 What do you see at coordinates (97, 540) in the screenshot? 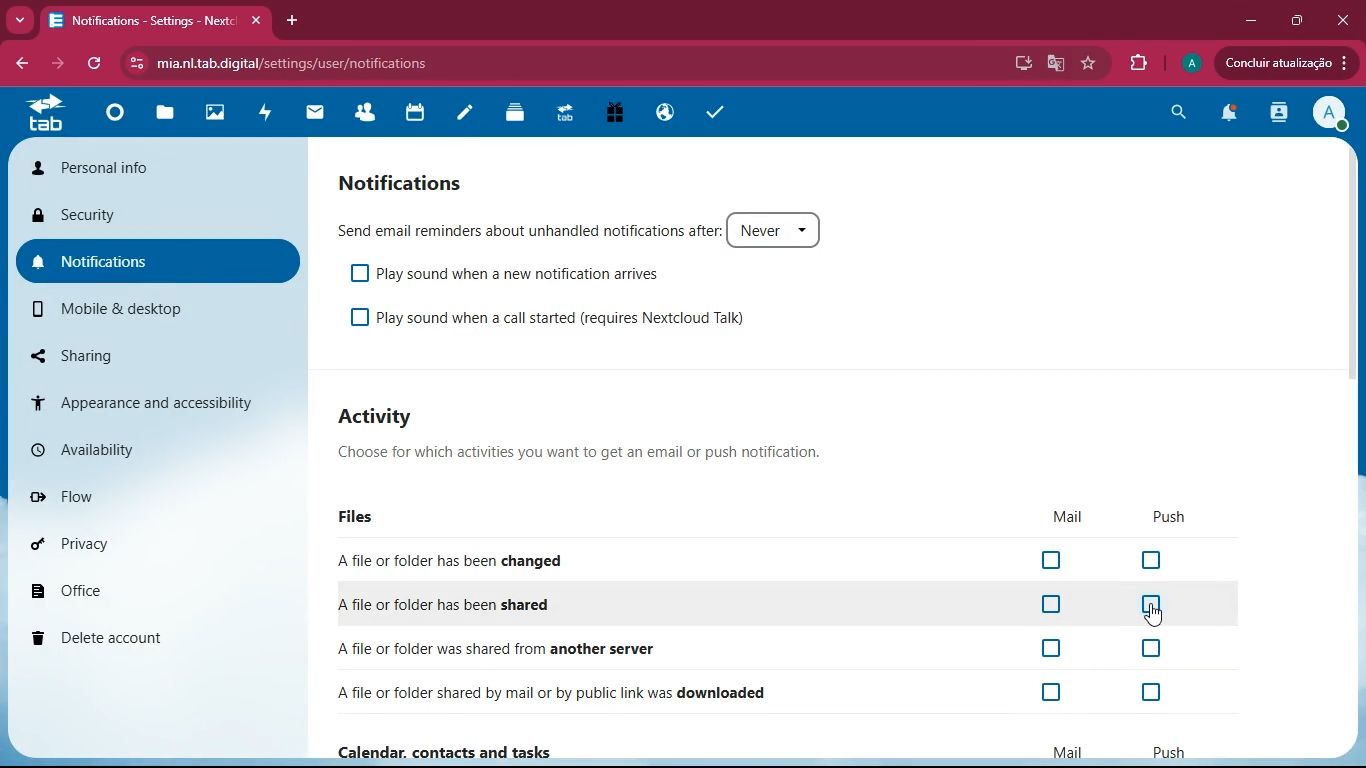
I see `privacy` at bounding box center [97, 540].